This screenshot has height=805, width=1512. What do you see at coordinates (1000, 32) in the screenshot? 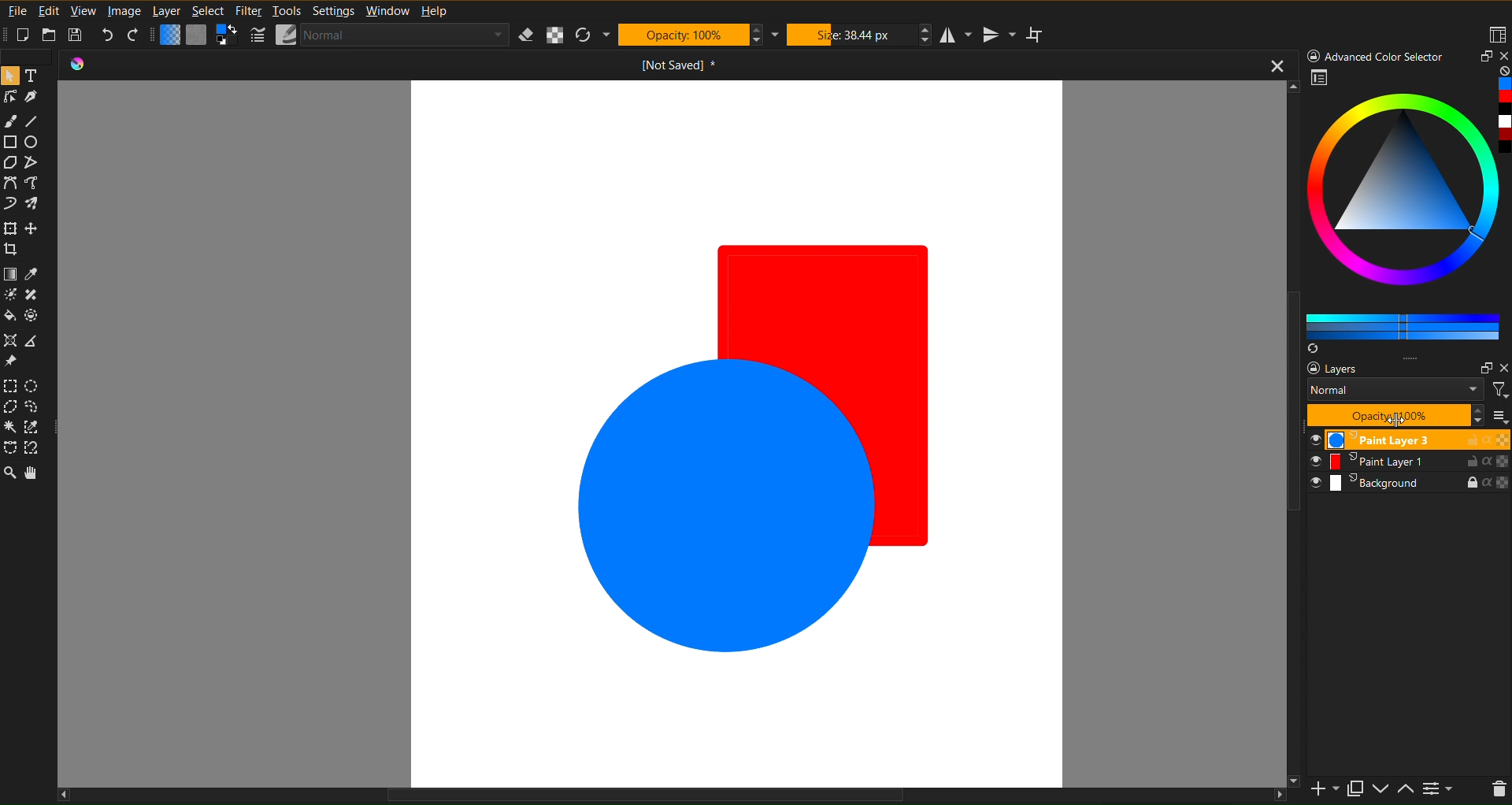
I see `Vertical Mirror` at bounding box center [1000, 32].